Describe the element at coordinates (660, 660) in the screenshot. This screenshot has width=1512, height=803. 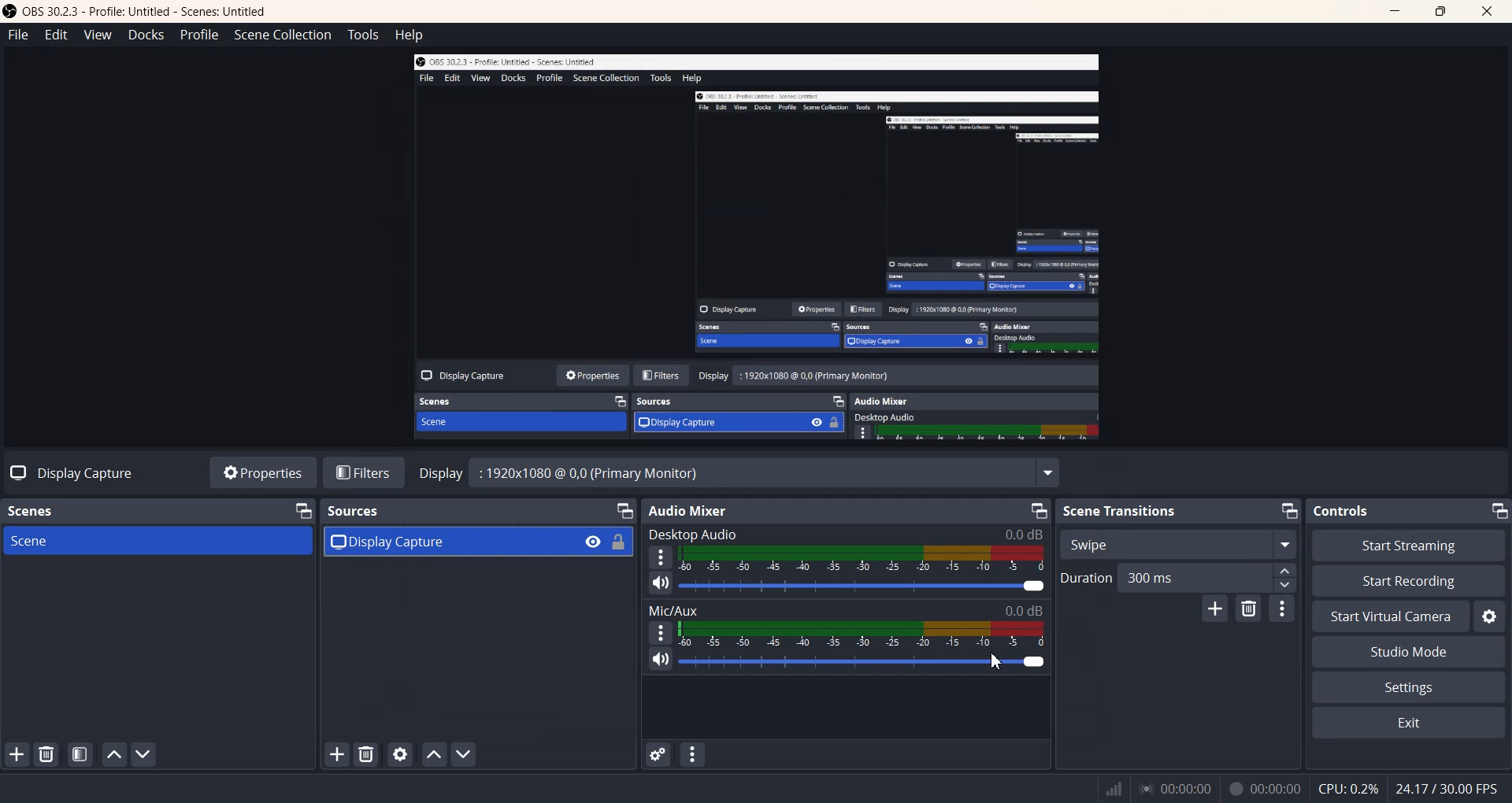
I see `Mute/Unmute` at that location.